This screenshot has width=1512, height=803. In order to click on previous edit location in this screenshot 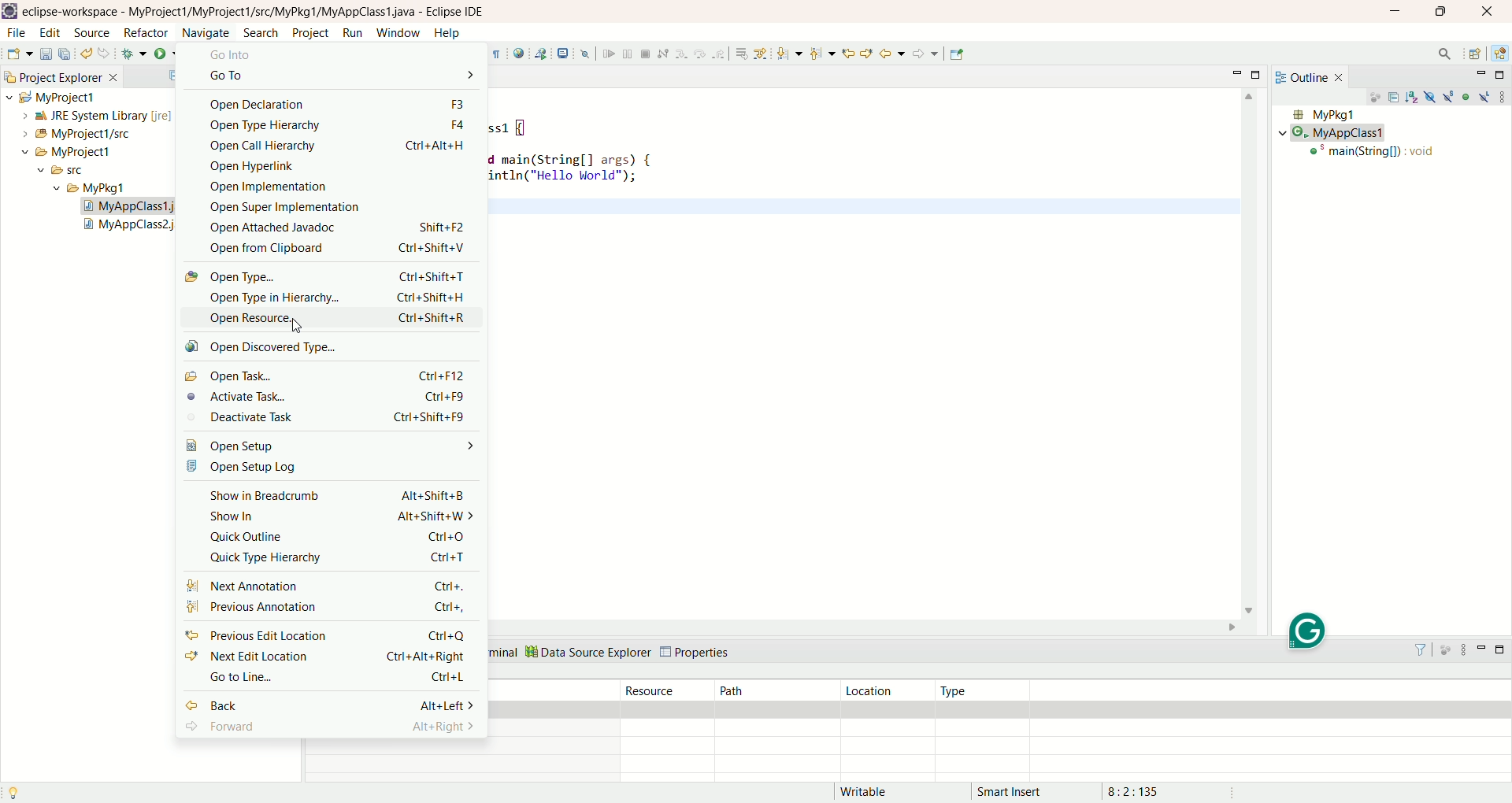, I will do `click(332, 637)`.